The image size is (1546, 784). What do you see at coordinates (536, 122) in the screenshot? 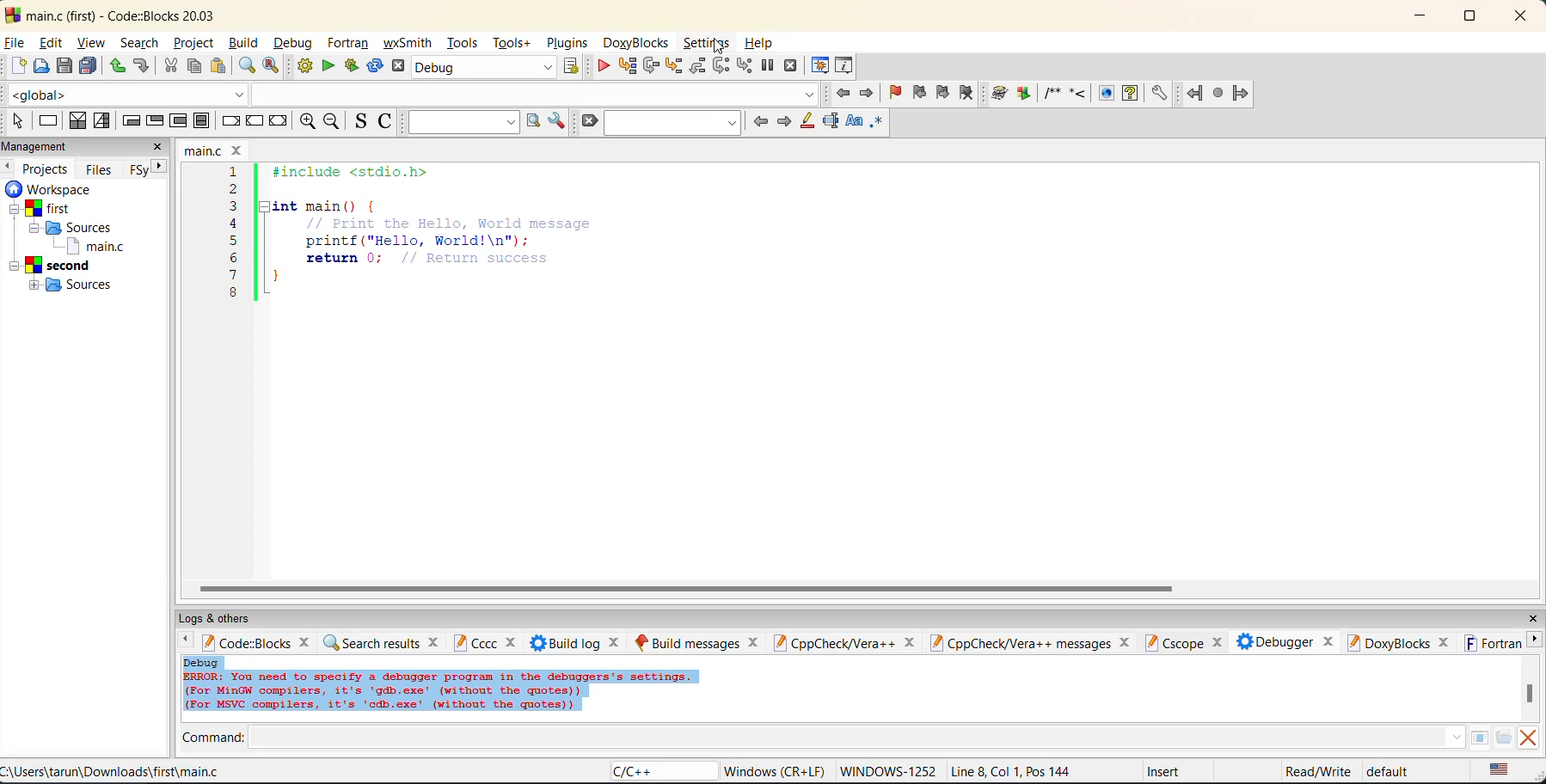
I see `run search` at bounding box center [536, 122].